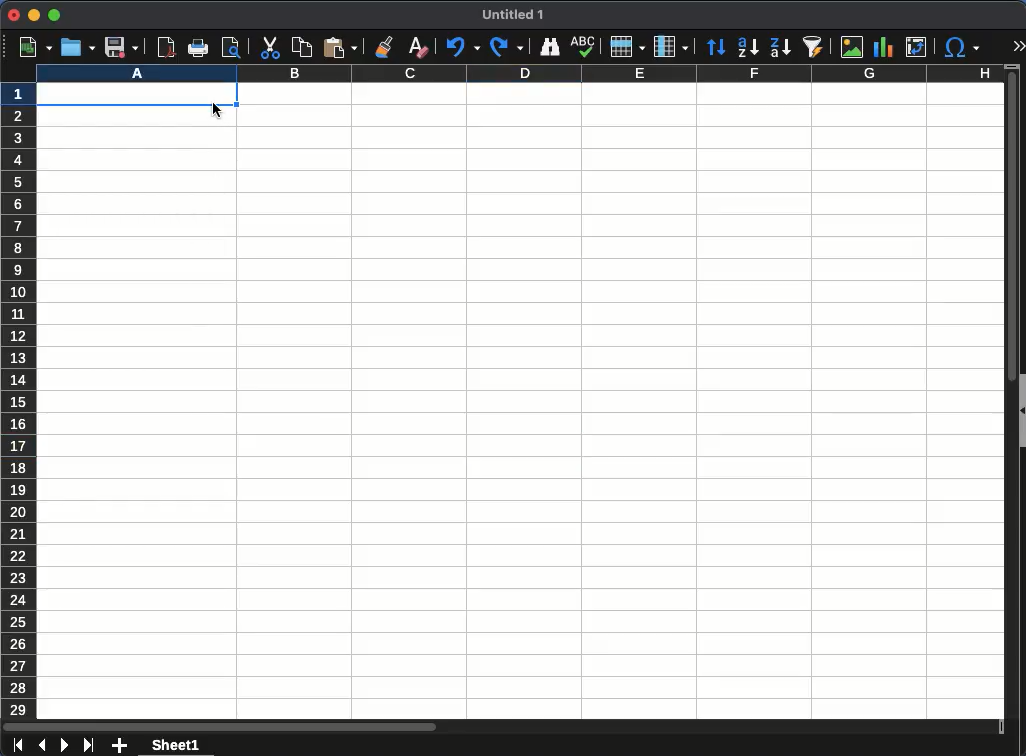 The image size is (1026, 756). I want to click on column, so click(671, 46).